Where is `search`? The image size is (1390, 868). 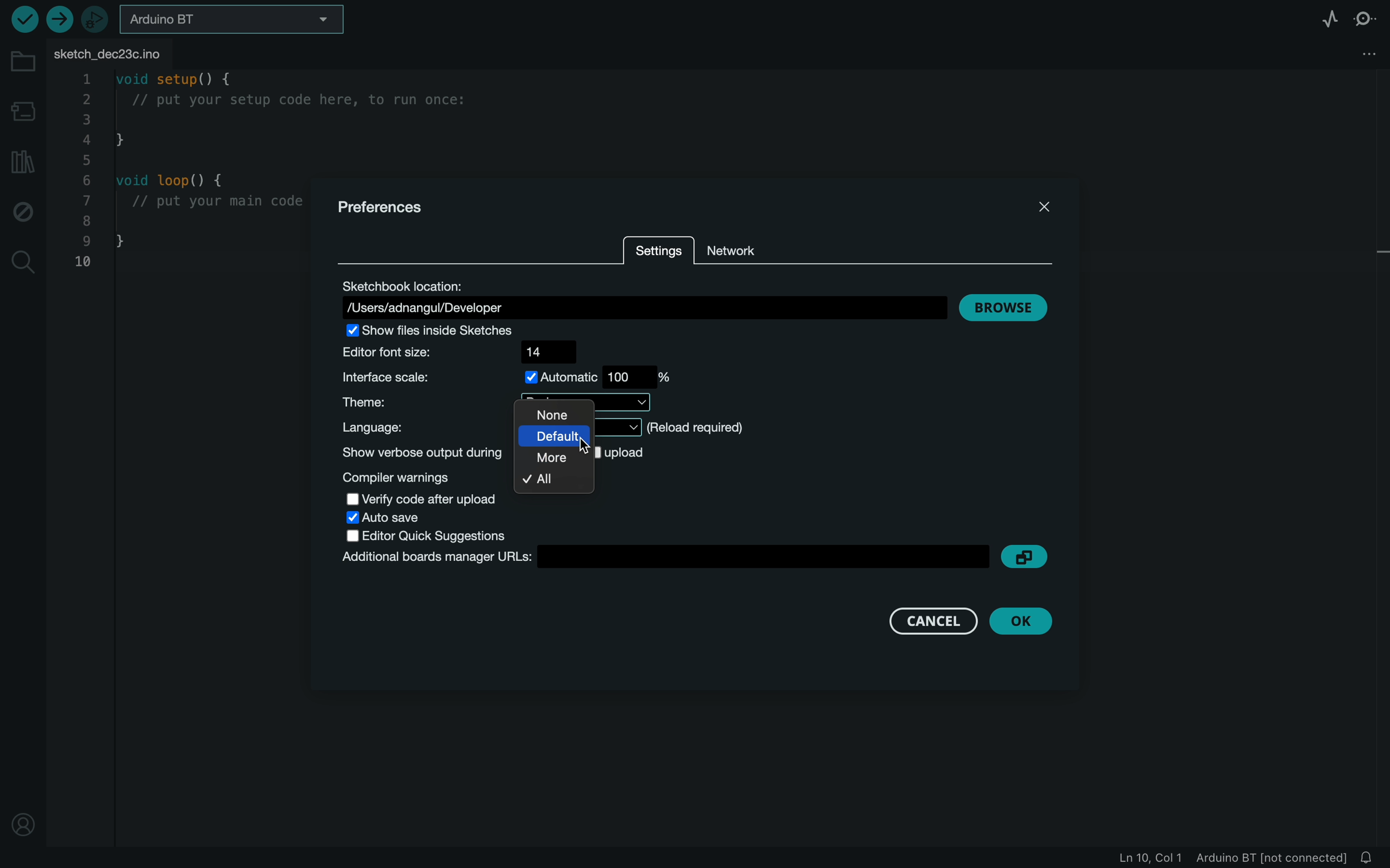
search is located at coordinates (20, 263).